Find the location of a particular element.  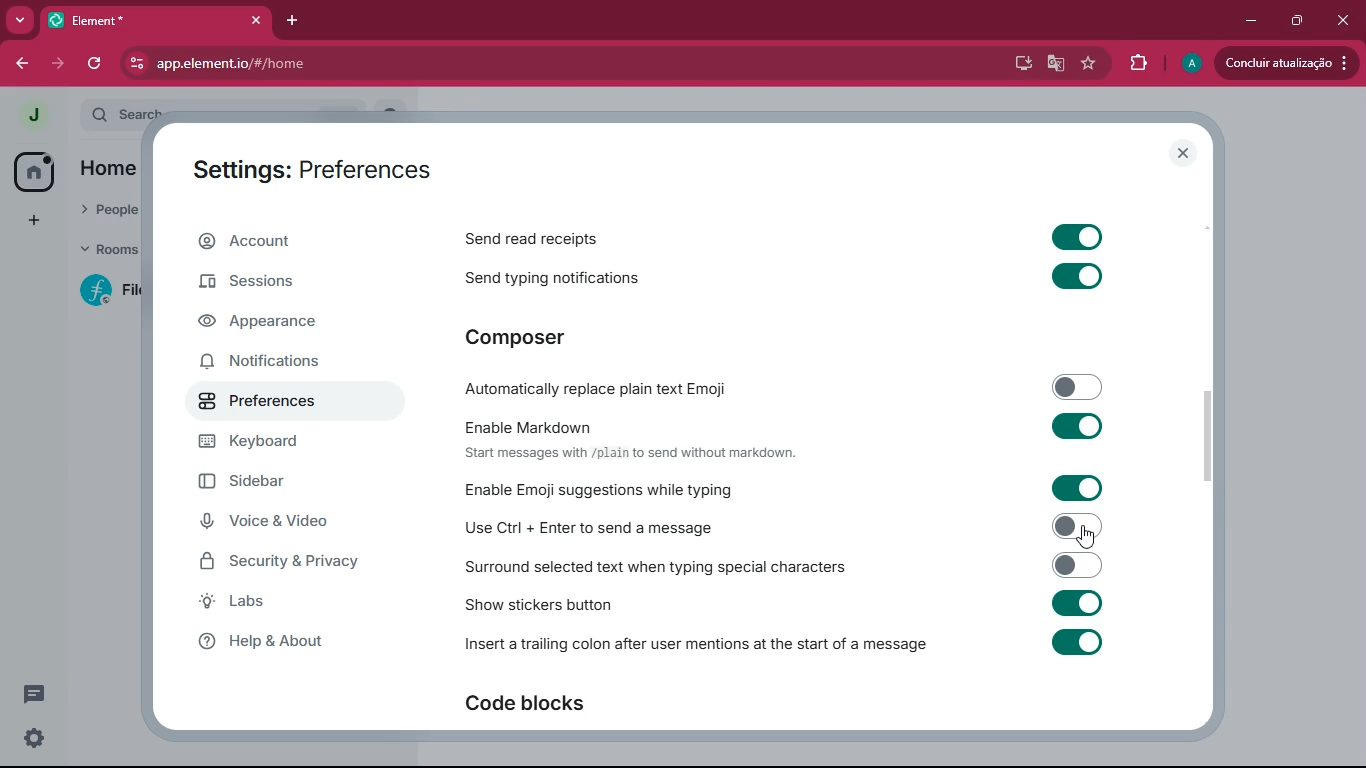

surrond text is located at coordinates (654, 567).